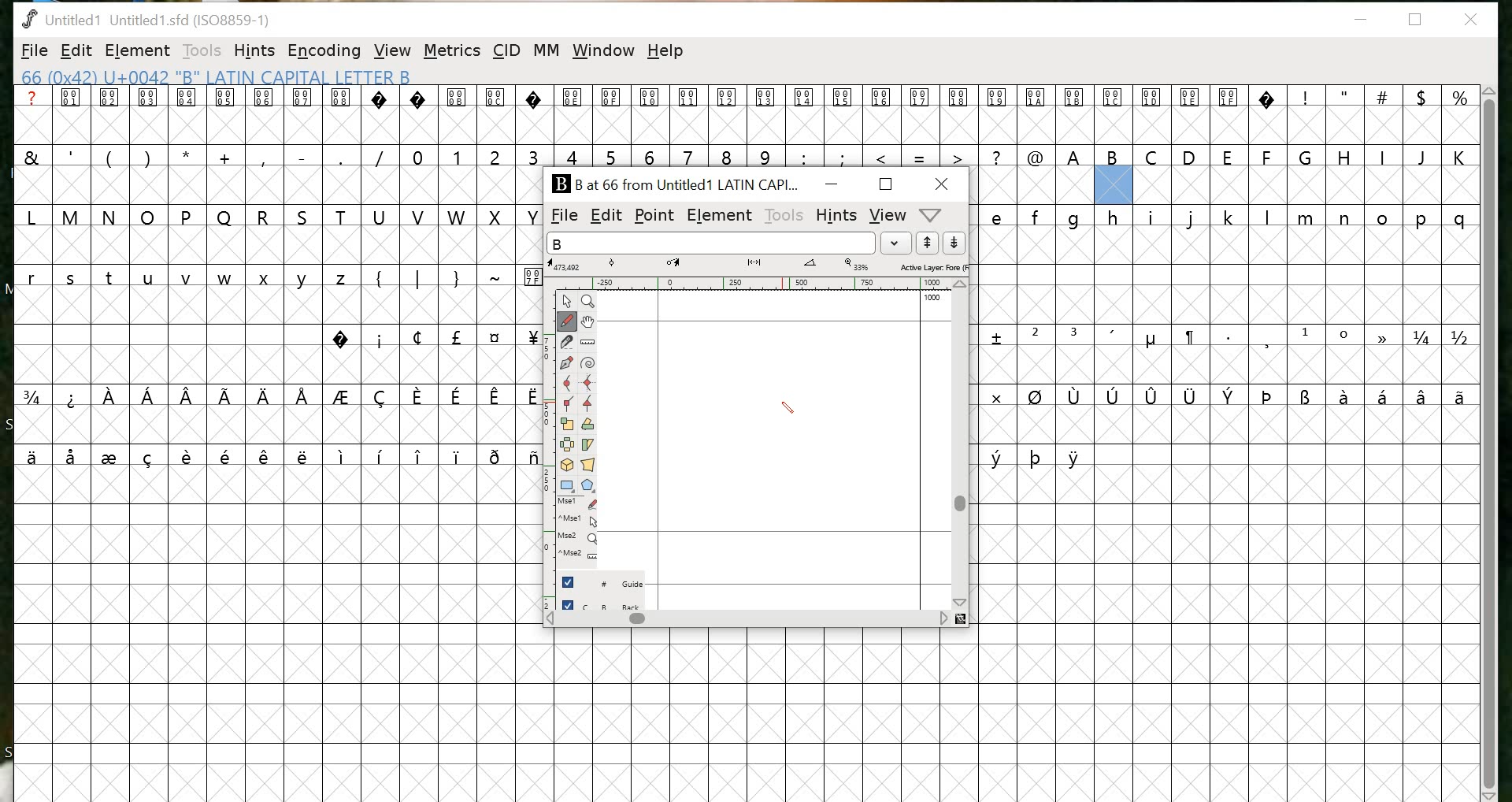 The height and width of the screenshot is (802, 1512). What do you see at coordinates (1473, 20) in the screenshot?
I see `close` at bounding box center [1473, 20].